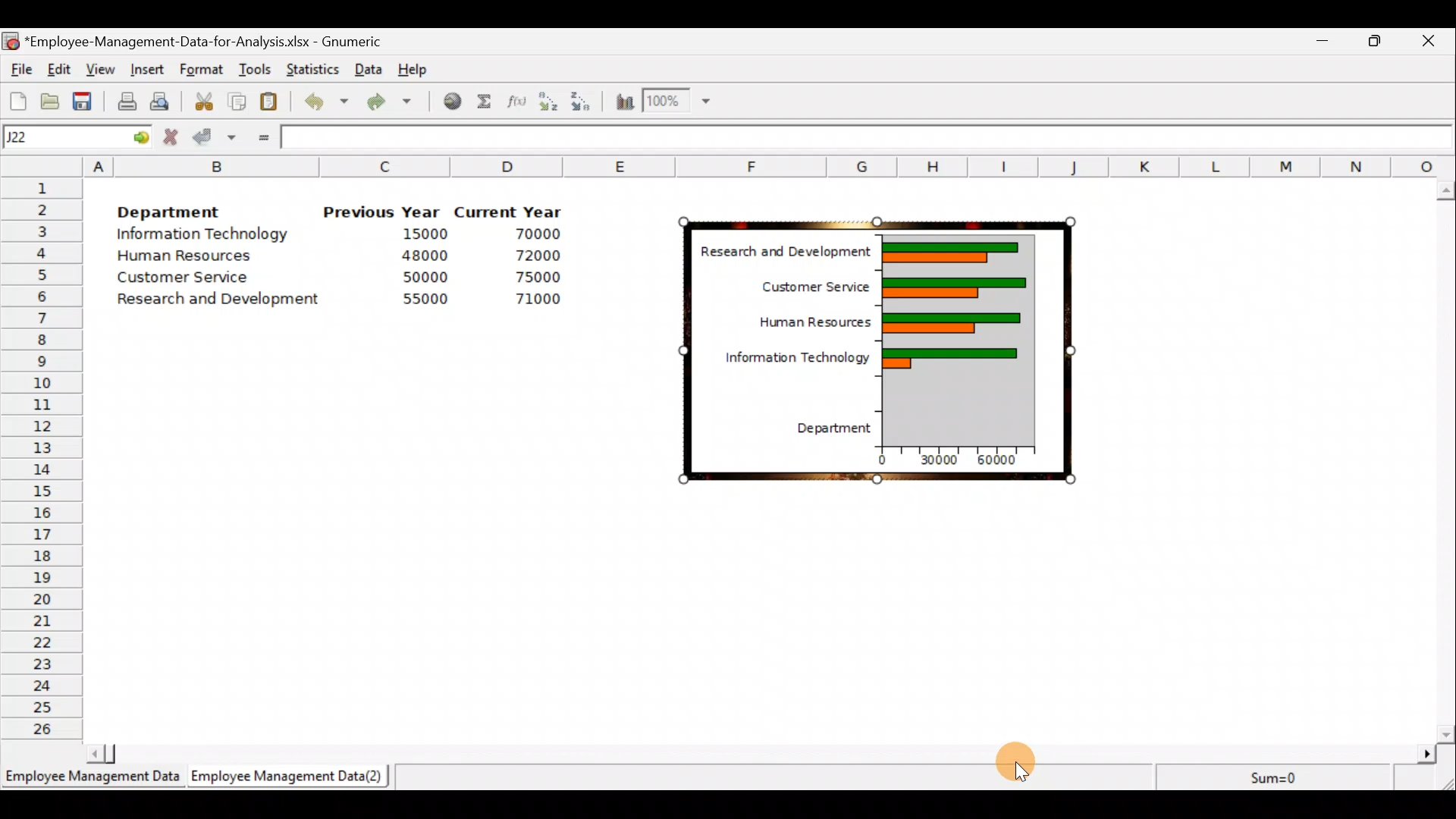 The height and width of the screenshot is (819, 1456). Describe the element at coordinates (140, 137) in the screenshot. I see `go to` at that location.